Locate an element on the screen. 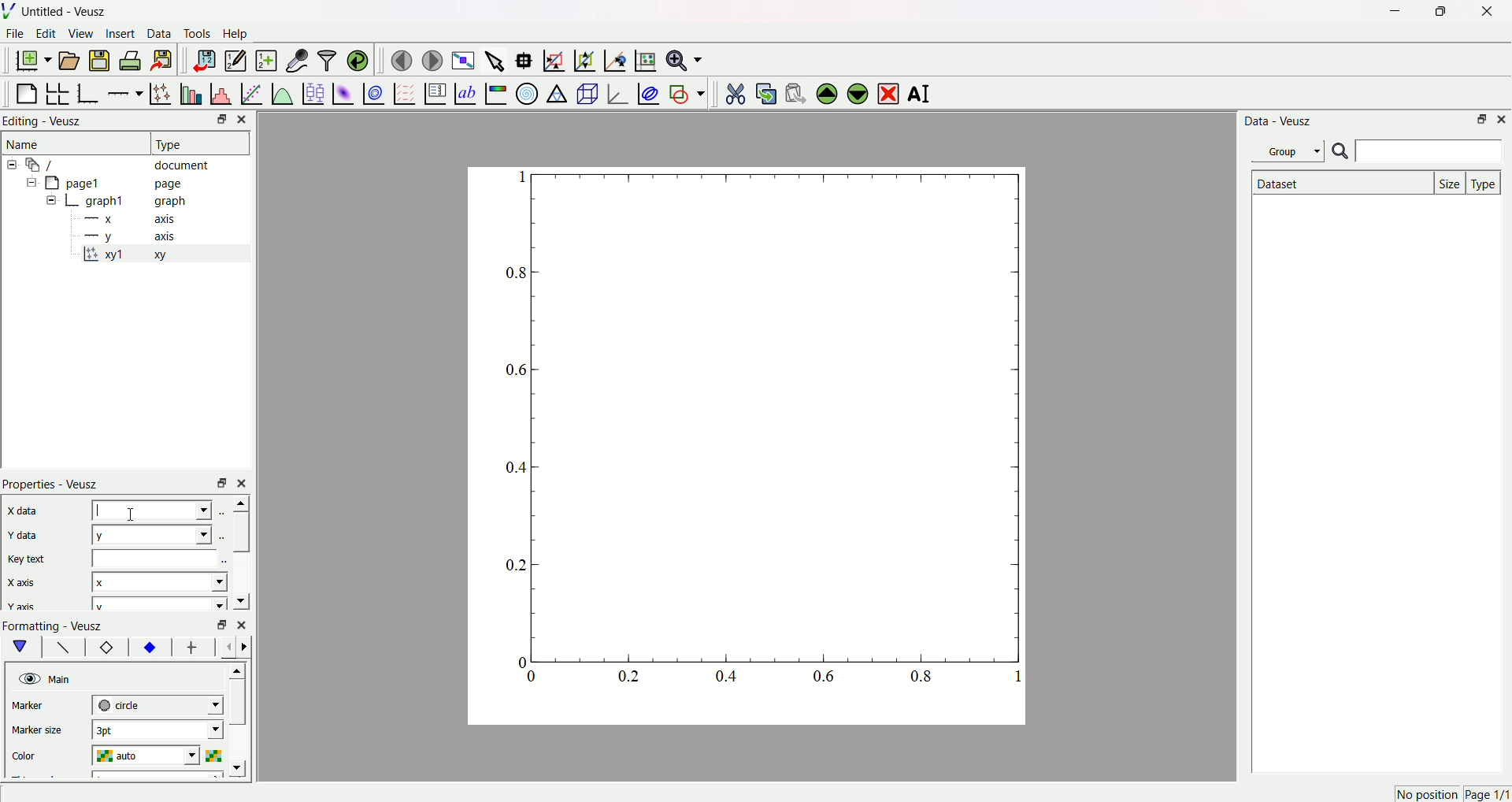  Close is located at coordinates (1481, 13).